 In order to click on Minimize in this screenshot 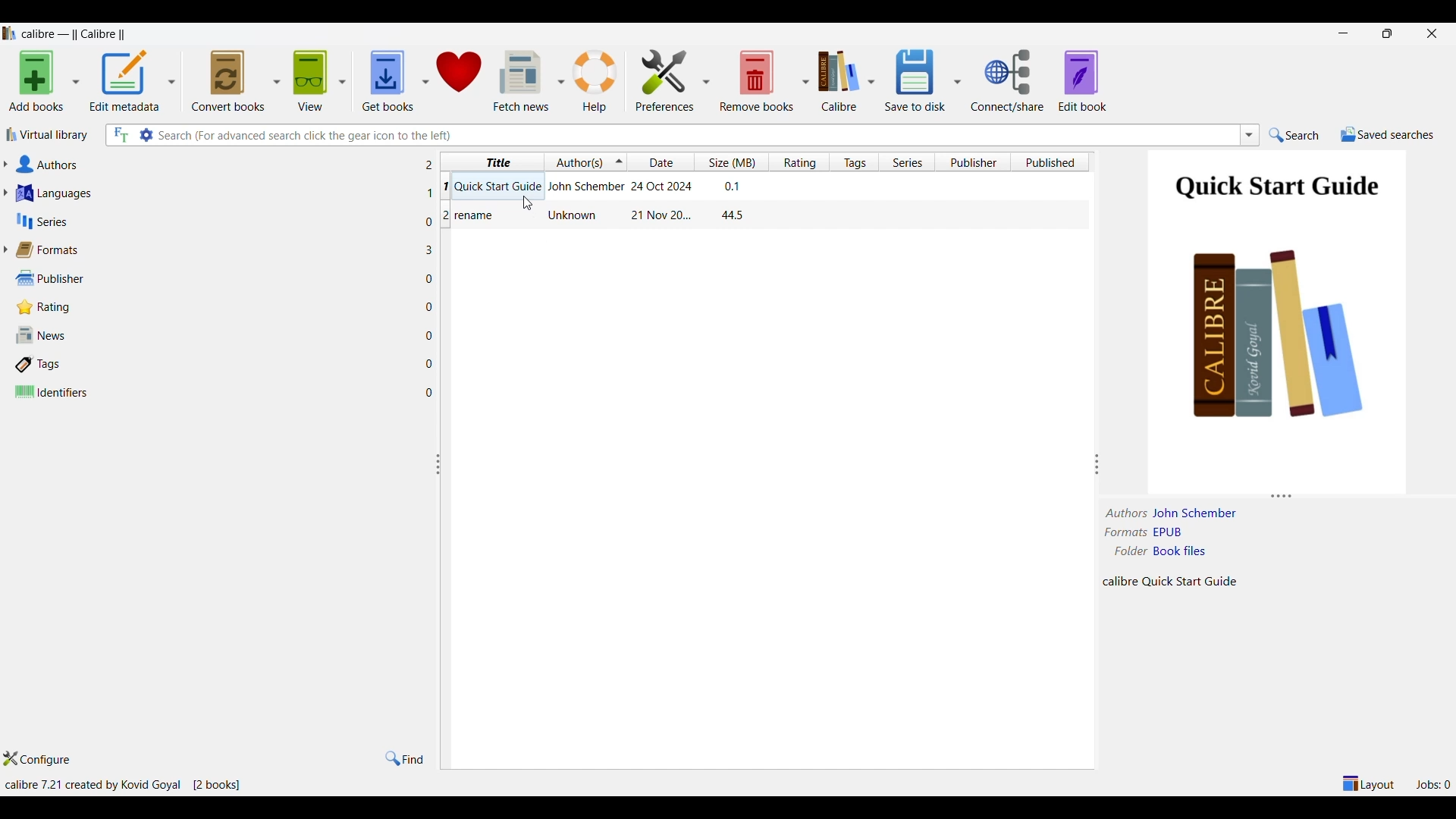, I will do `click(1343, 33)`.